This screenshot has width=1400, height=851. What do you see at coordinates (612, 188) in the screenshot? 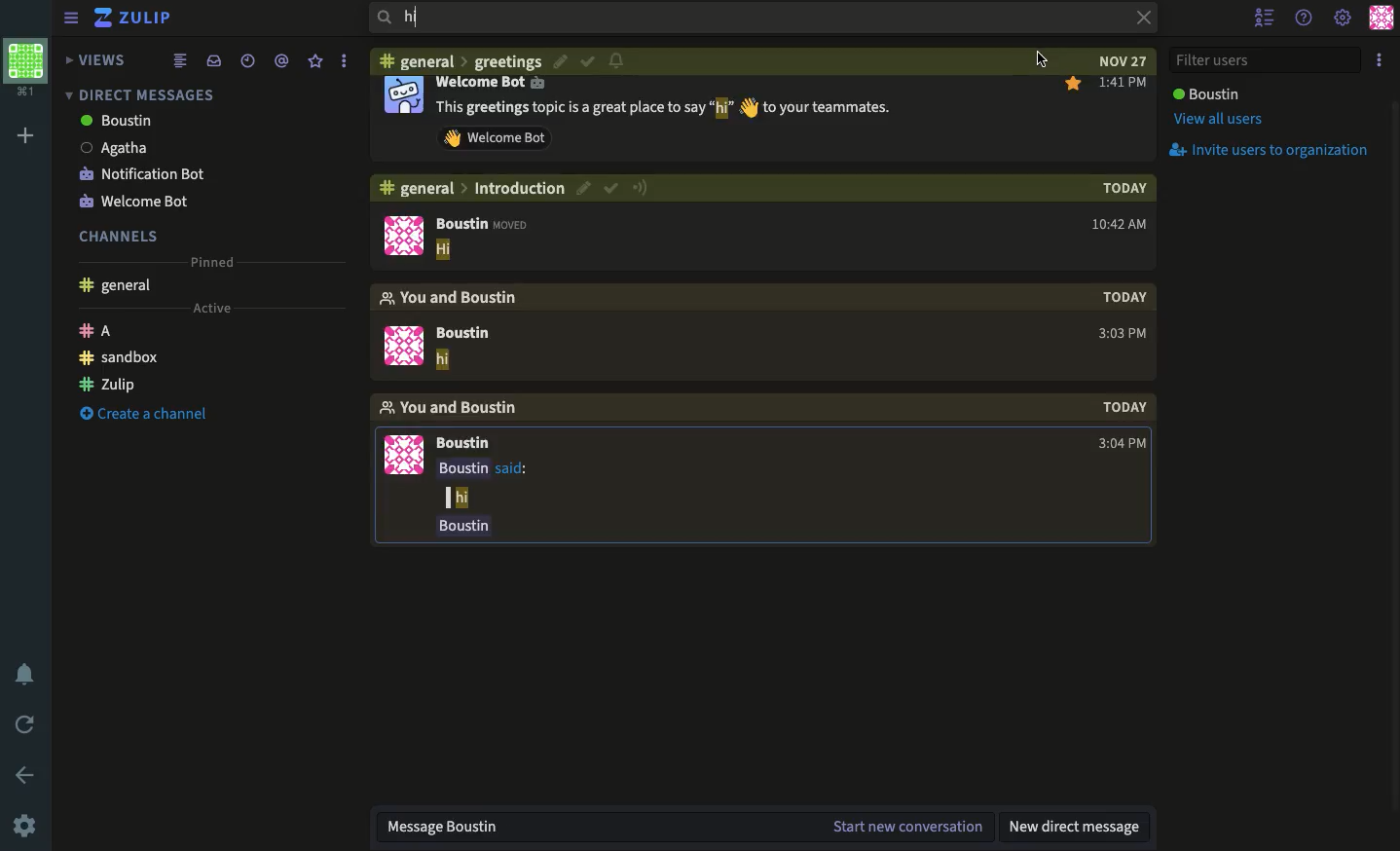
I see `resolved` at bounding box center [612, 188].